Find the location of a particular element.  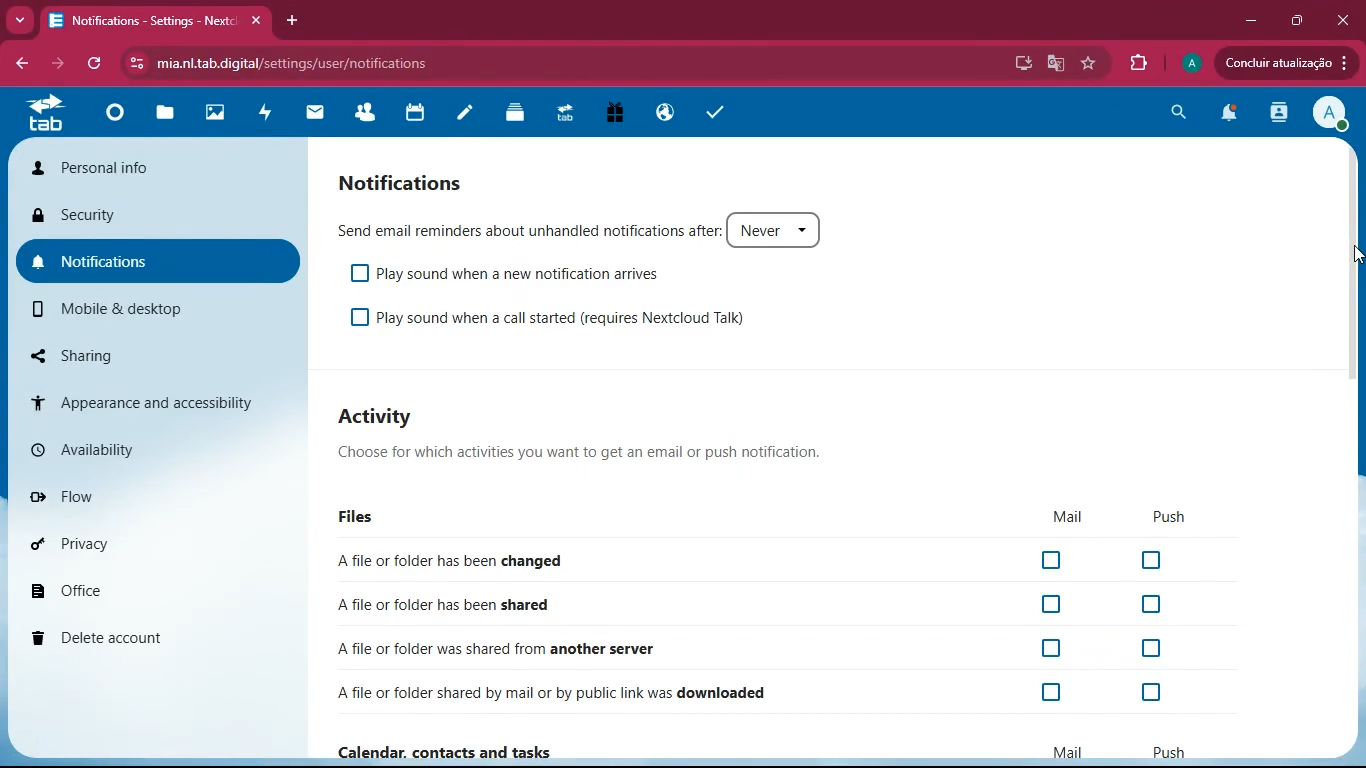

office is located at coordinates (131, 590).